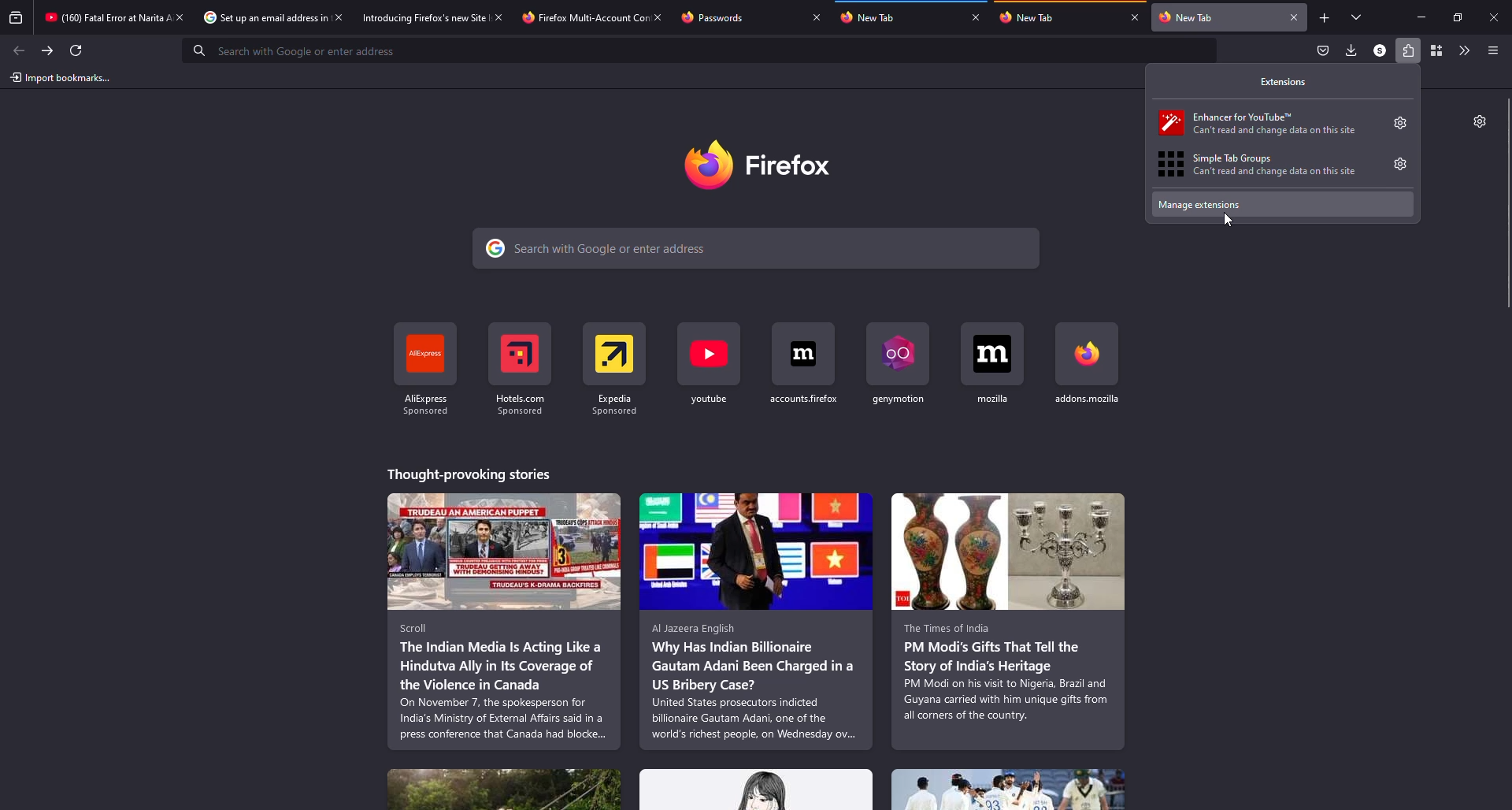 Image resolution: width=1512 pixels, height=810 pixels. I want to click on shortcut, so click(525, 367).